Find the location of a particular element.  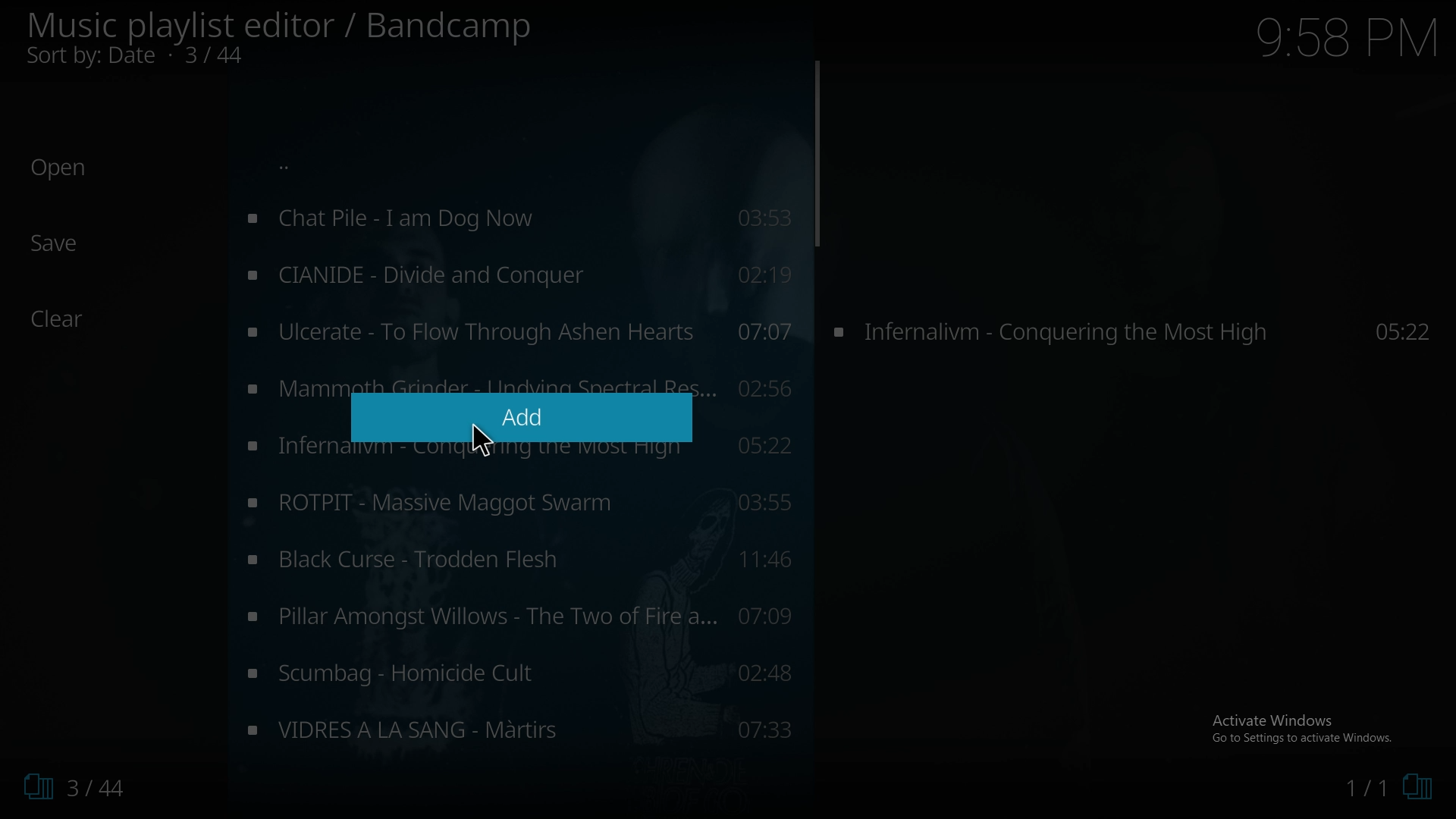

music is located at coordinates (516, 275).